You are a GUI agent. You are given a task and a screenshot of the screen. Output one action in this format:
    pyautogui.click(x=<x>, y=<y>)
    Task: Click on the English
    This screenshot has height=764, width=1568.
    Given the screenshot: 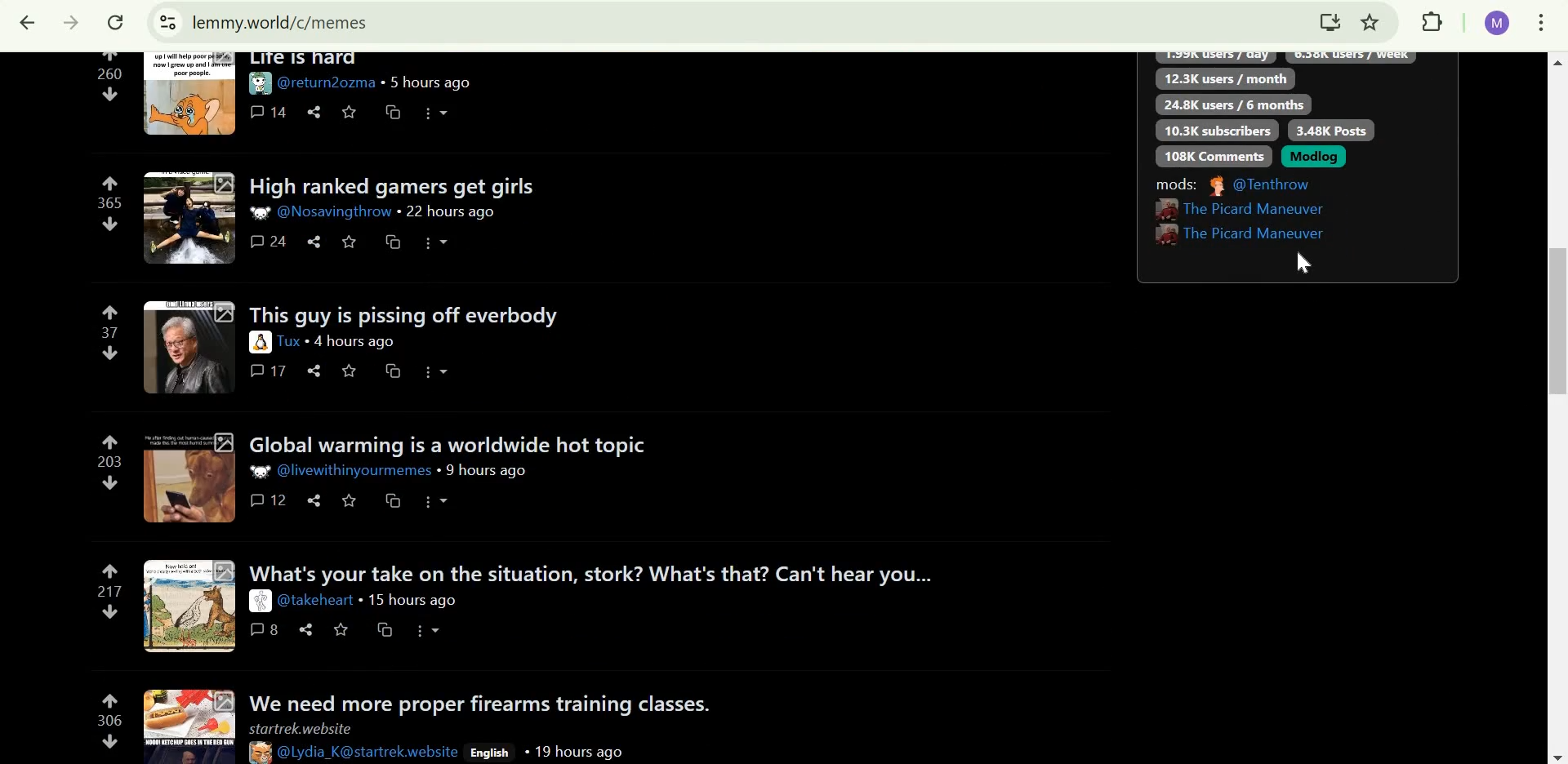 What is the action you would take?
    pyautogui.click(x=488, y=753)
    